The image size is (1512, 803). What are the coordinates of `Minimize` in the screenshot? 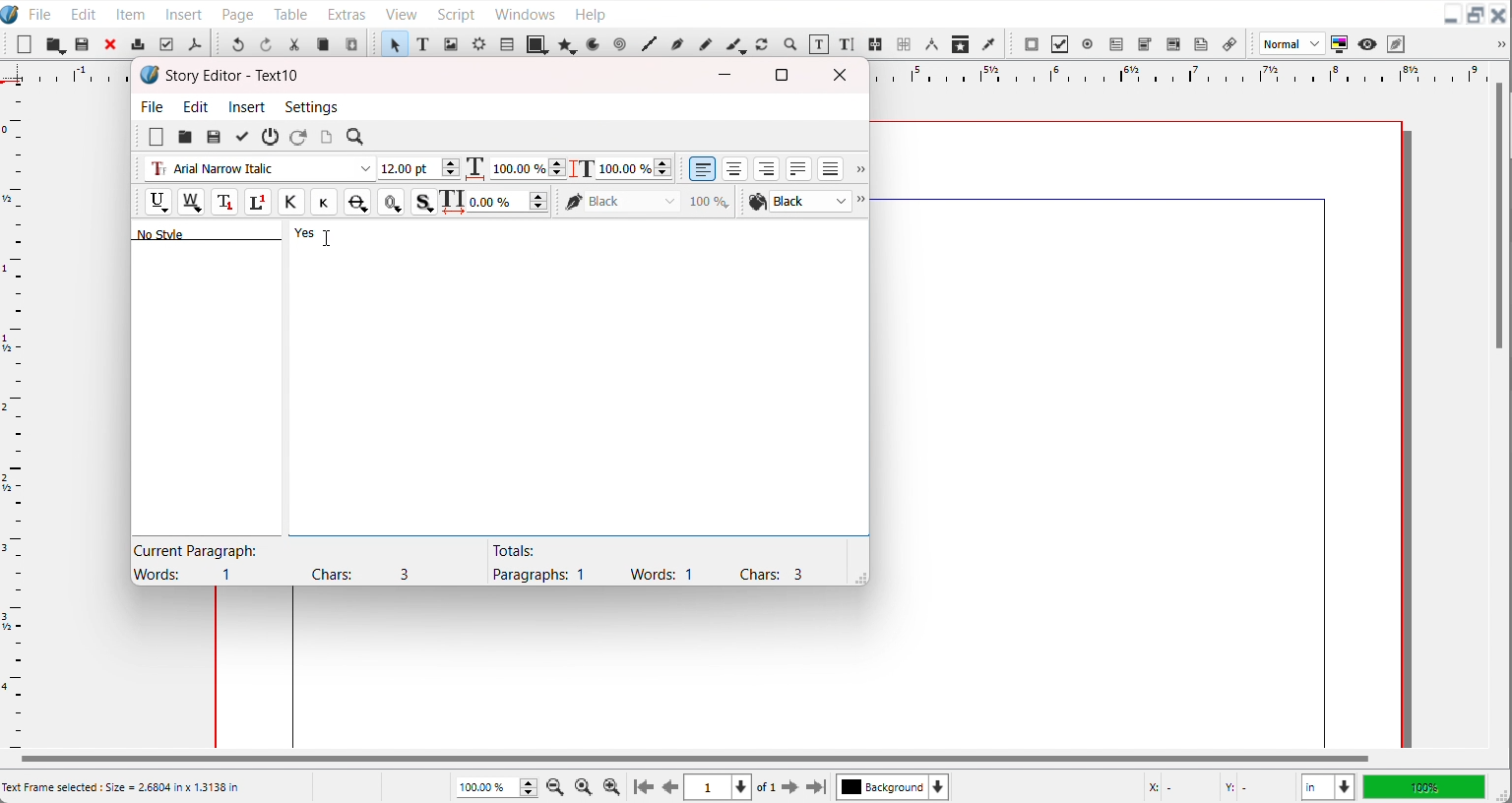 It's located at (725, 75).